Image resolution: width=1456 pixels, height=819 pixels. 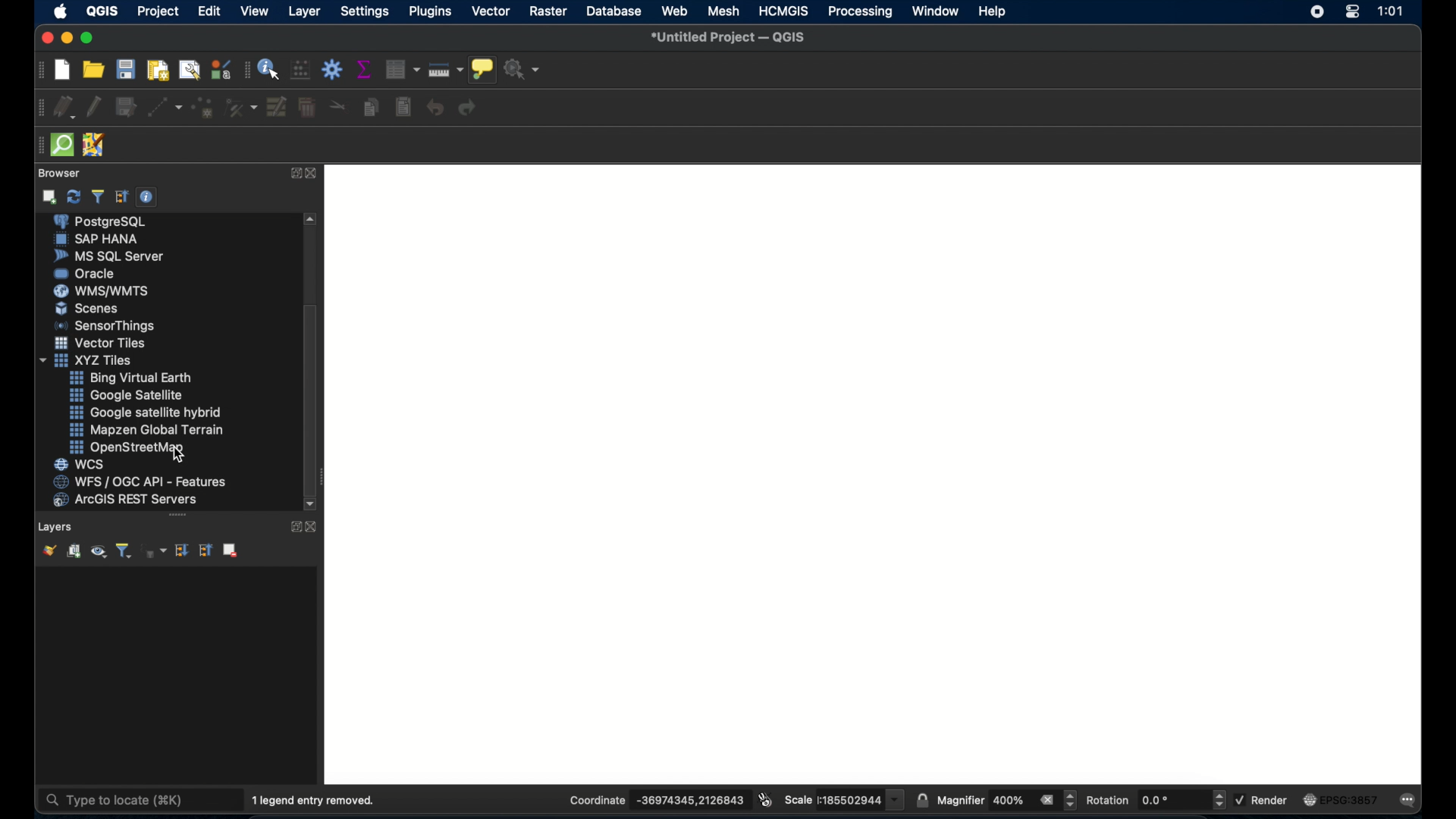 I want to click on wcs, so click(x=80, y=465).